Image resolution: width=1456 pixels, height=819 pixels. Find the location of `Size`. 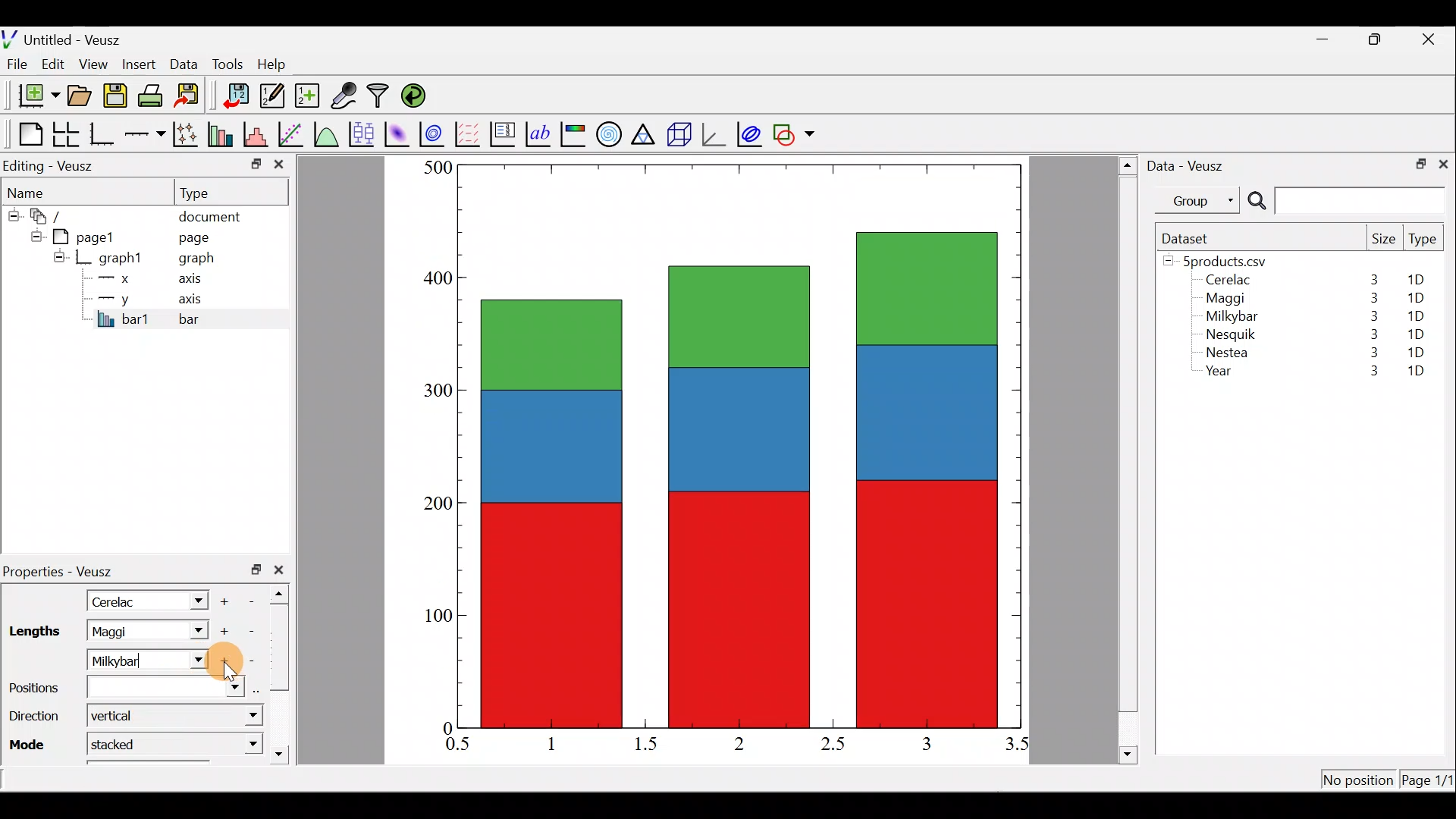

Size is located at coordinates (1383, 240).